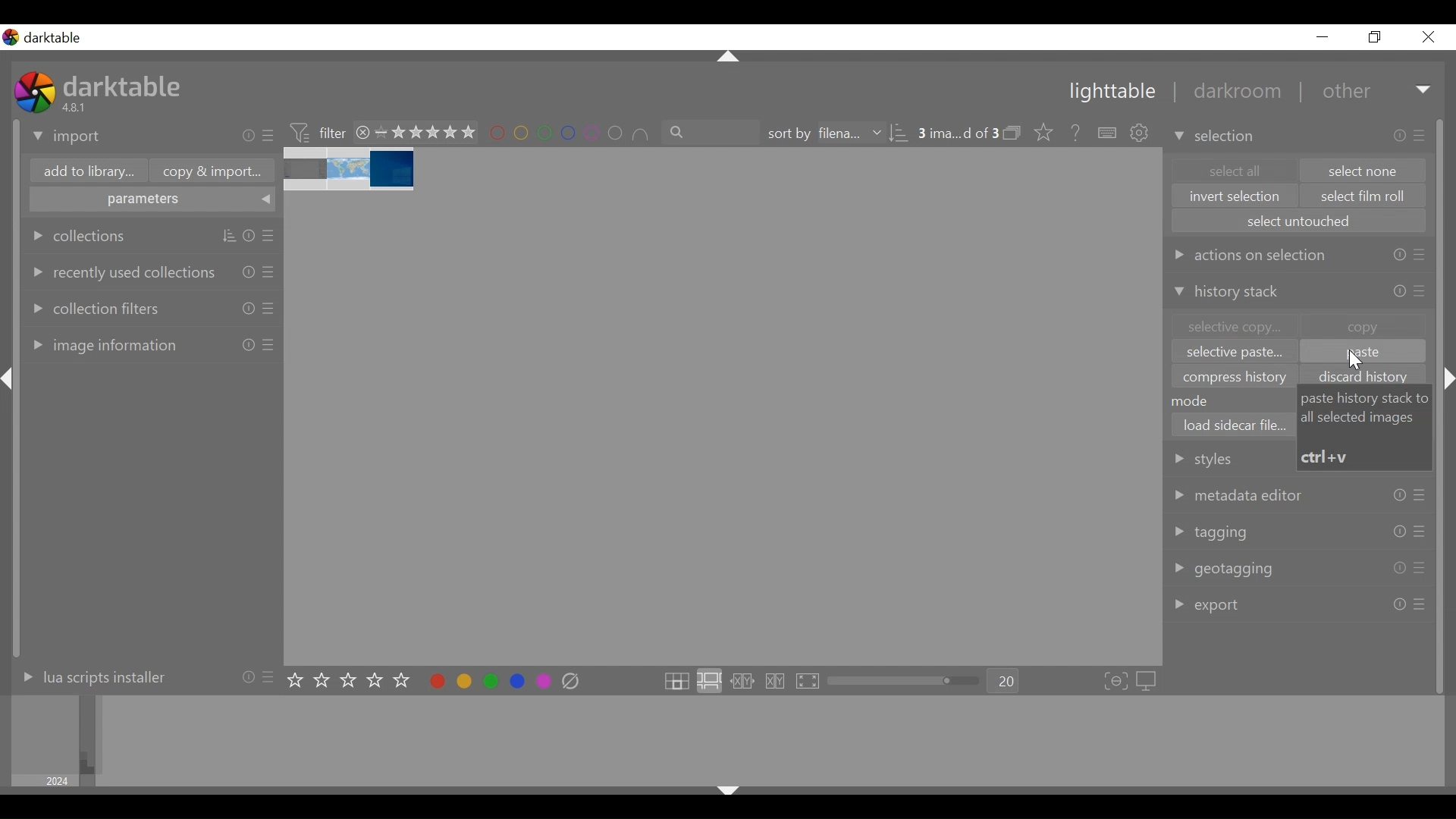 The width and height of the screenshot is (1456, 819). What do you see at coordinates (1197, 400) in the screenshot?
I see `mode` at bounding box center [1197, 400].